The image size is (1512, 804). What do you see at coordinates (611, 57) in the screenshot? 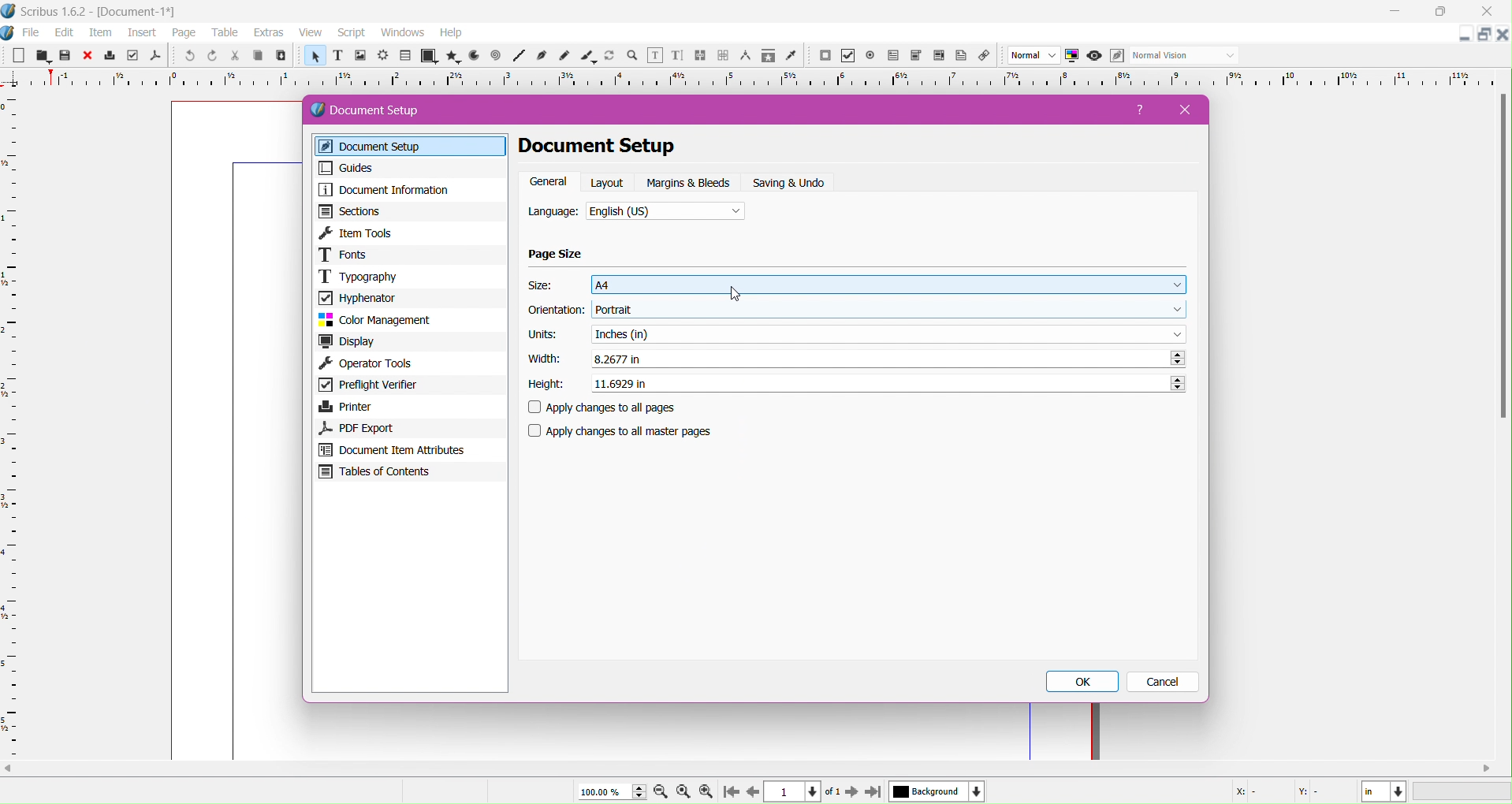
I see `rotate item` at bounding box center [611, 57].